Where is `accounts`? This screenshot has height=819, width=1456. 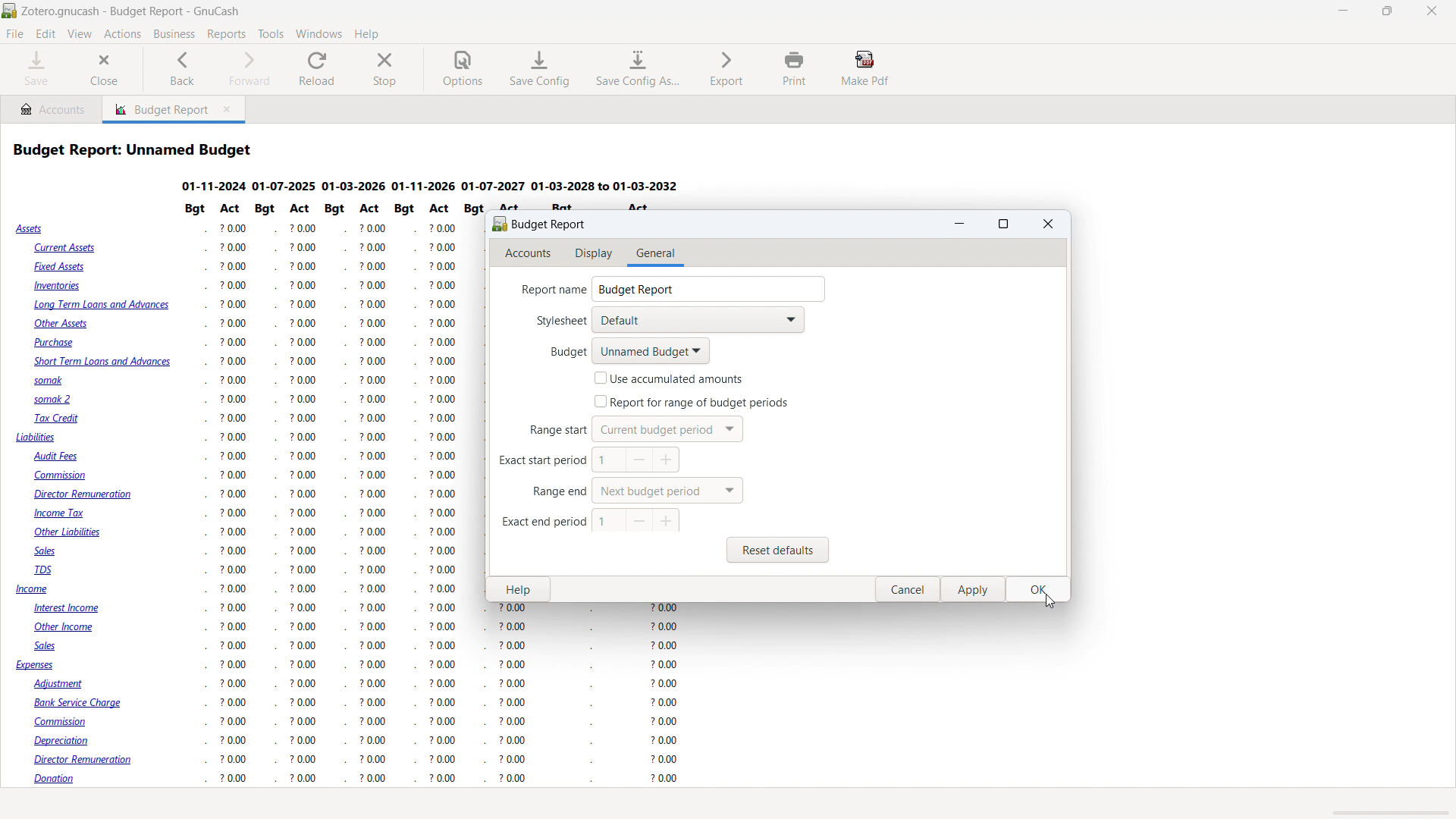 accounts is located at coordinates (529, 254).